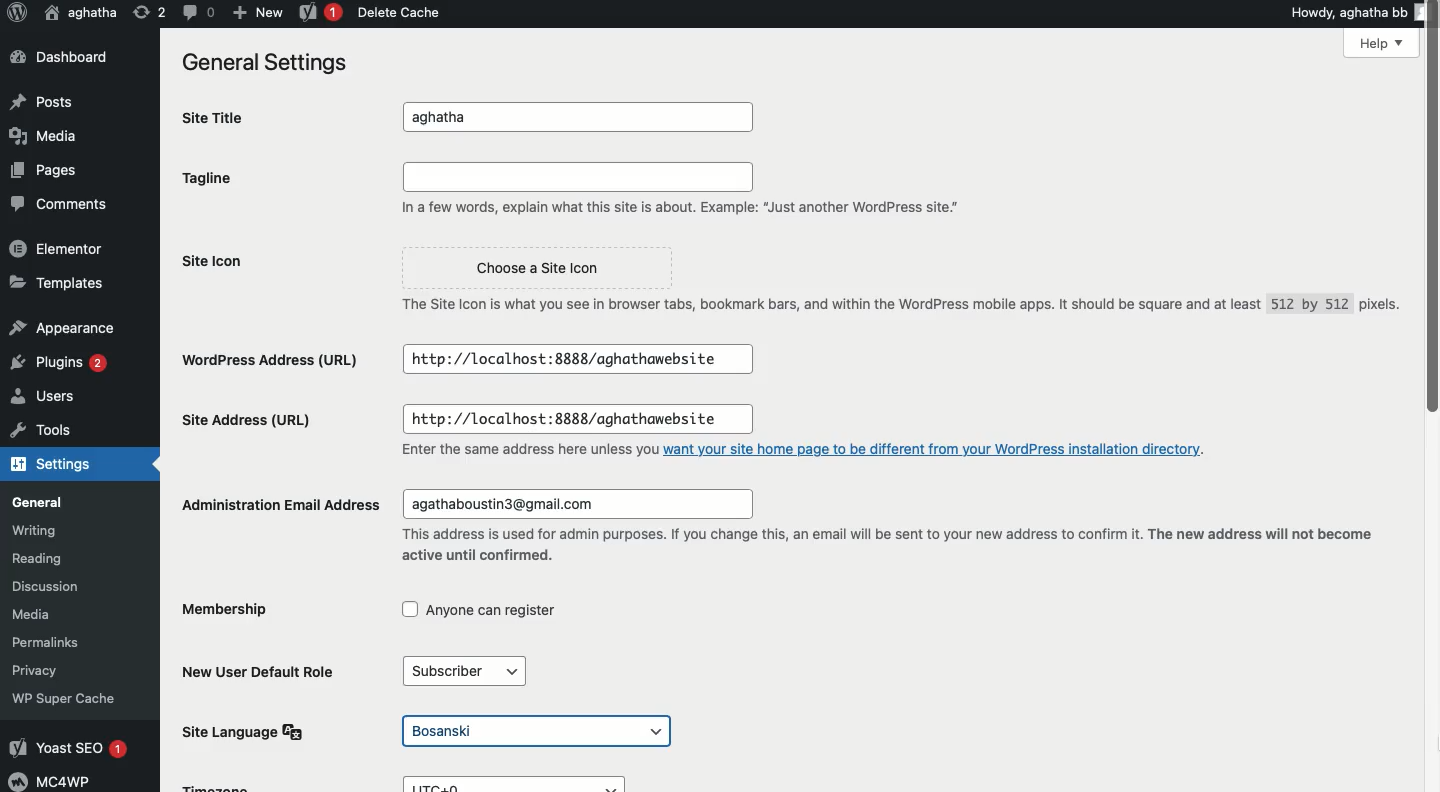  I want to click on Comment, so click(195, 12).